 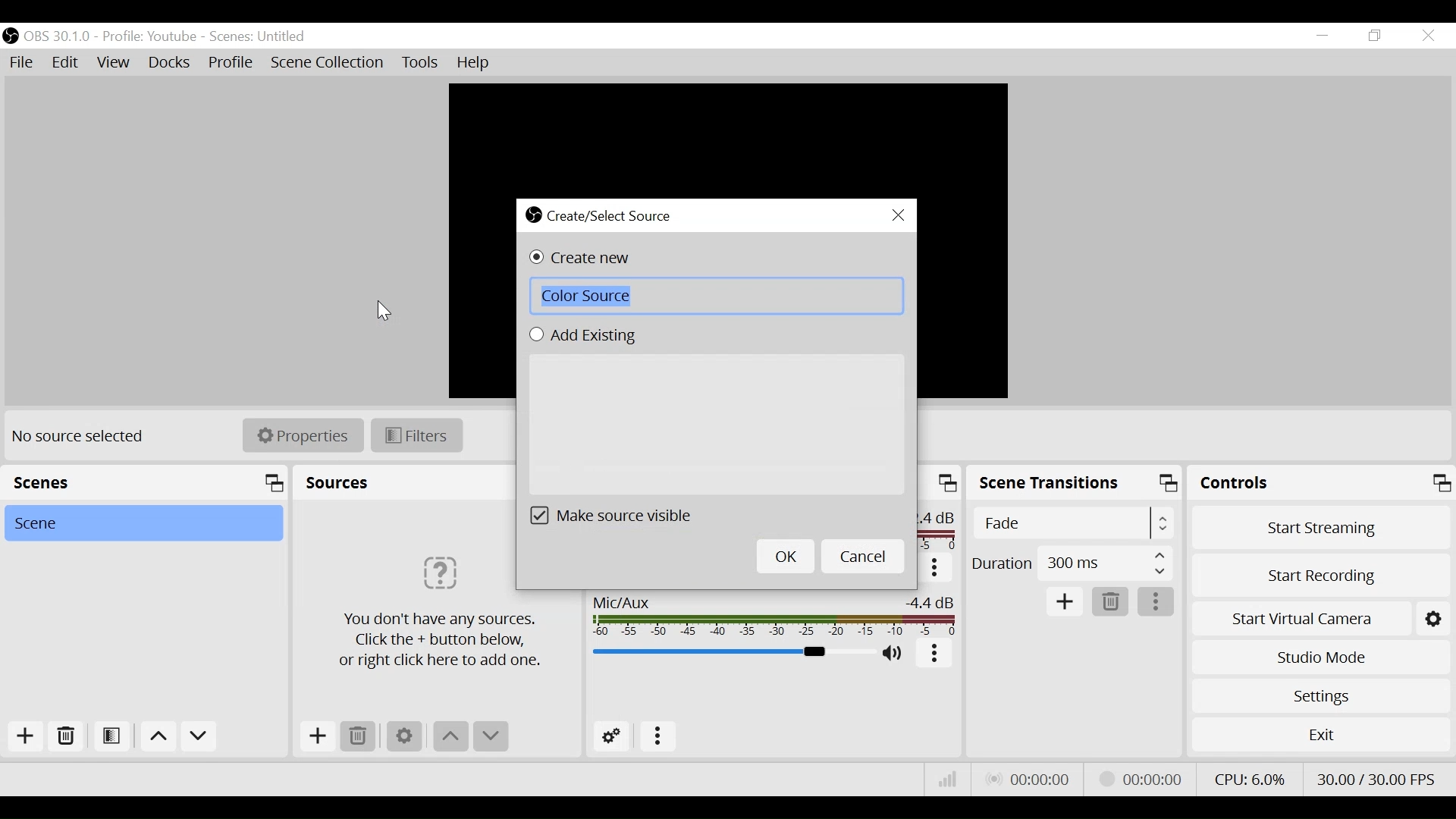 What do you see at coordinates (1072, 561) in the screenshot?
I see `Select Duration` at bounding box center [1072, 561].